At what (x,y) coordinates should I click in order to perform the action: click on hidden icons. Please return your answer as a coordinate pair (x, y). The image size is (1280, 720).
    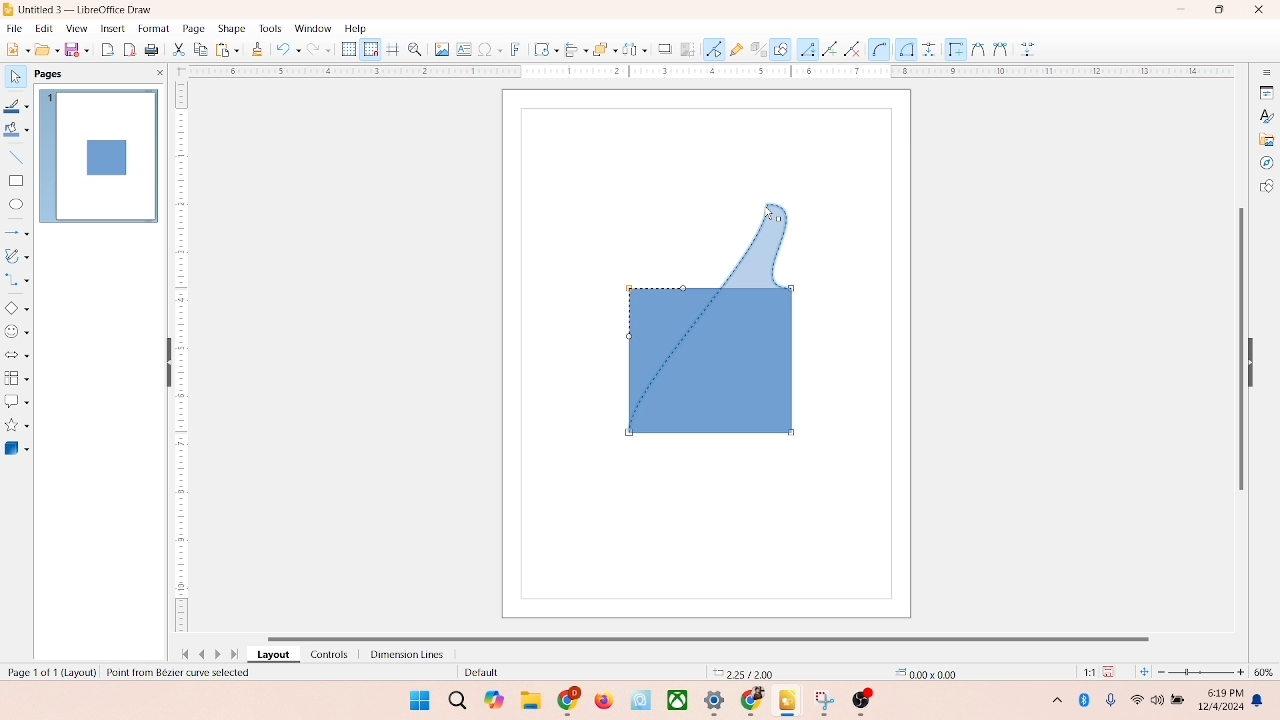
    Looking at the image, I should click on (1047, 703).